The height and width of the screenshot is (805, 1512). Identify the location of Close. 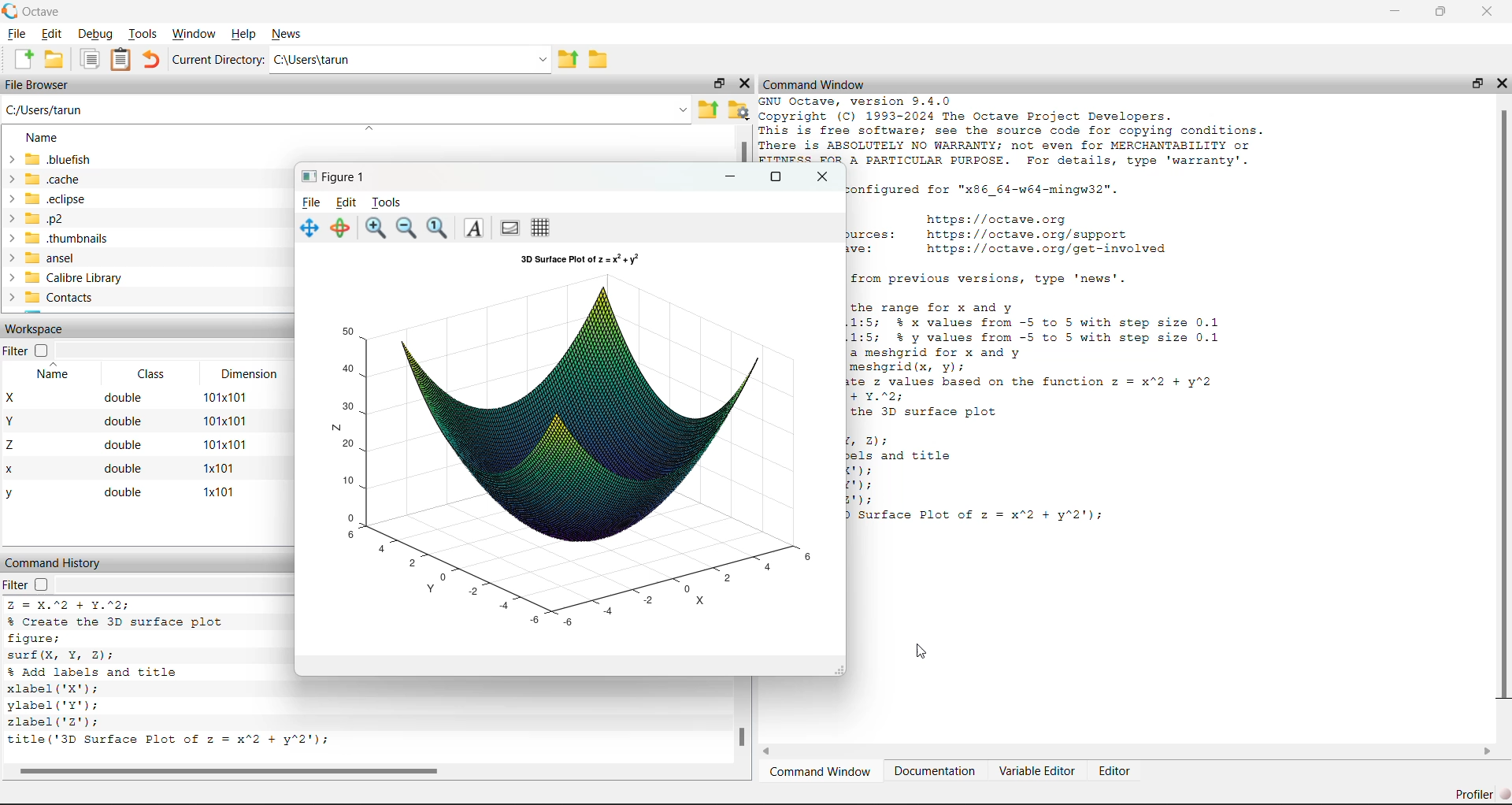
(823, 176).